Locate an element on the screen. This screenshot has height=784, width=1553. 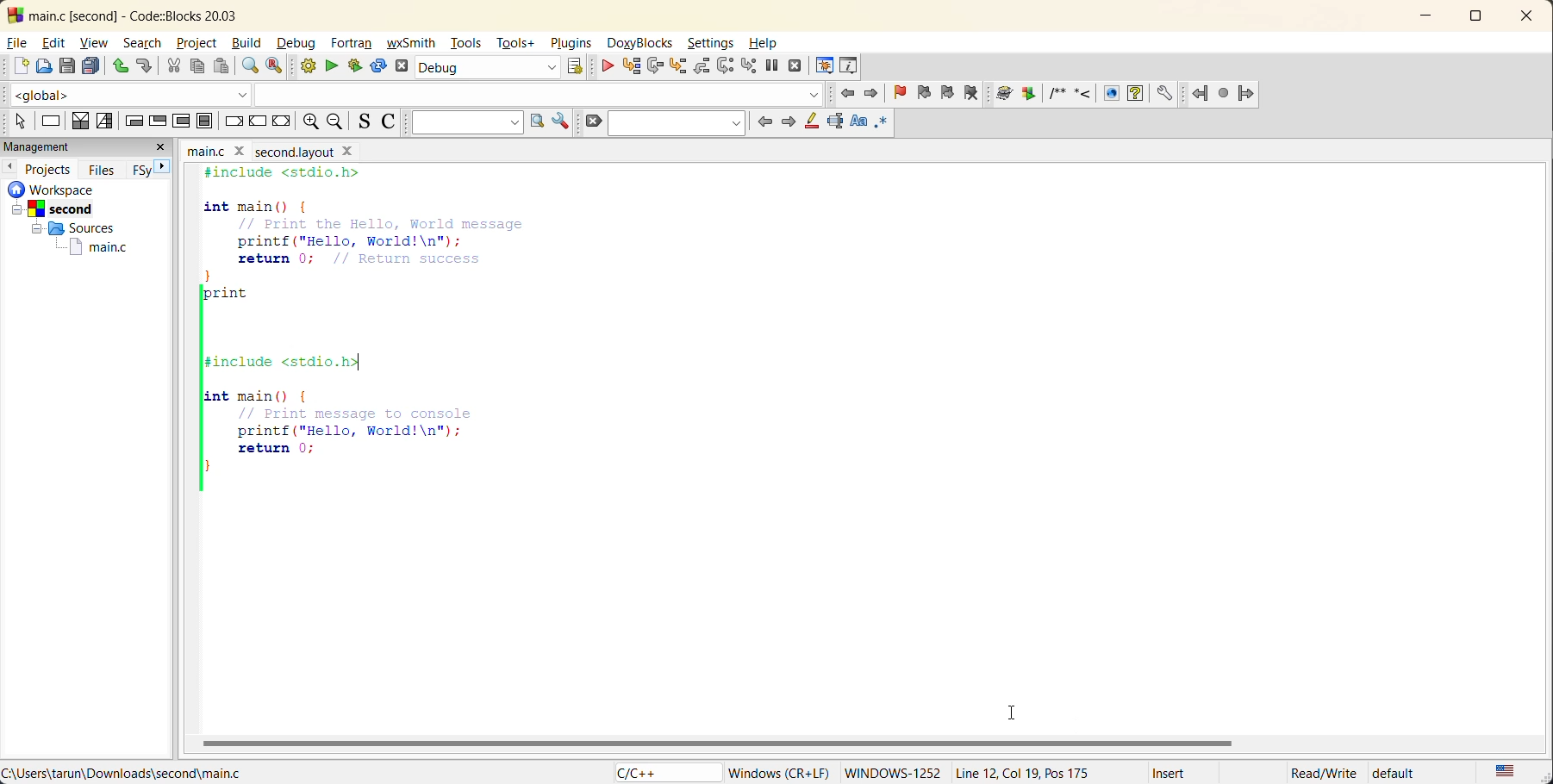
match case is located at coordinates (856, 122).